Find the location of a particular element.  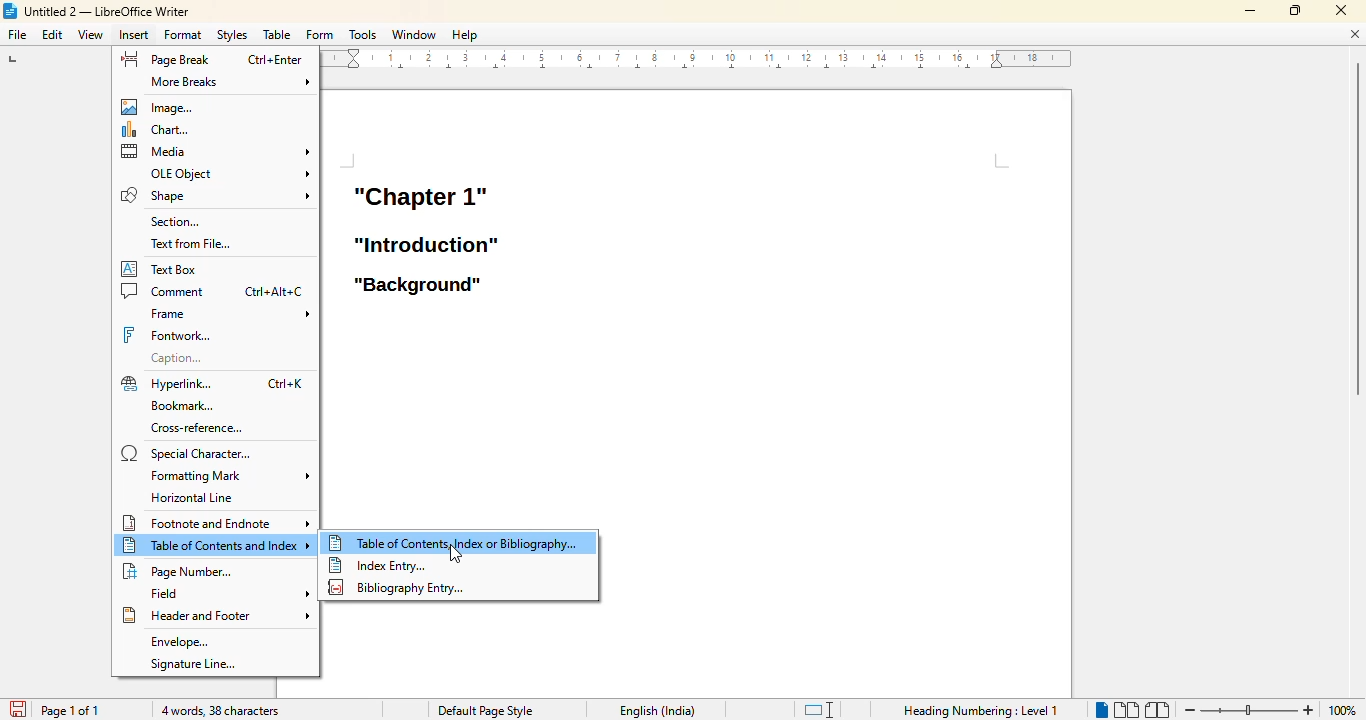

heading 1 is located at coordinates (419, 195).